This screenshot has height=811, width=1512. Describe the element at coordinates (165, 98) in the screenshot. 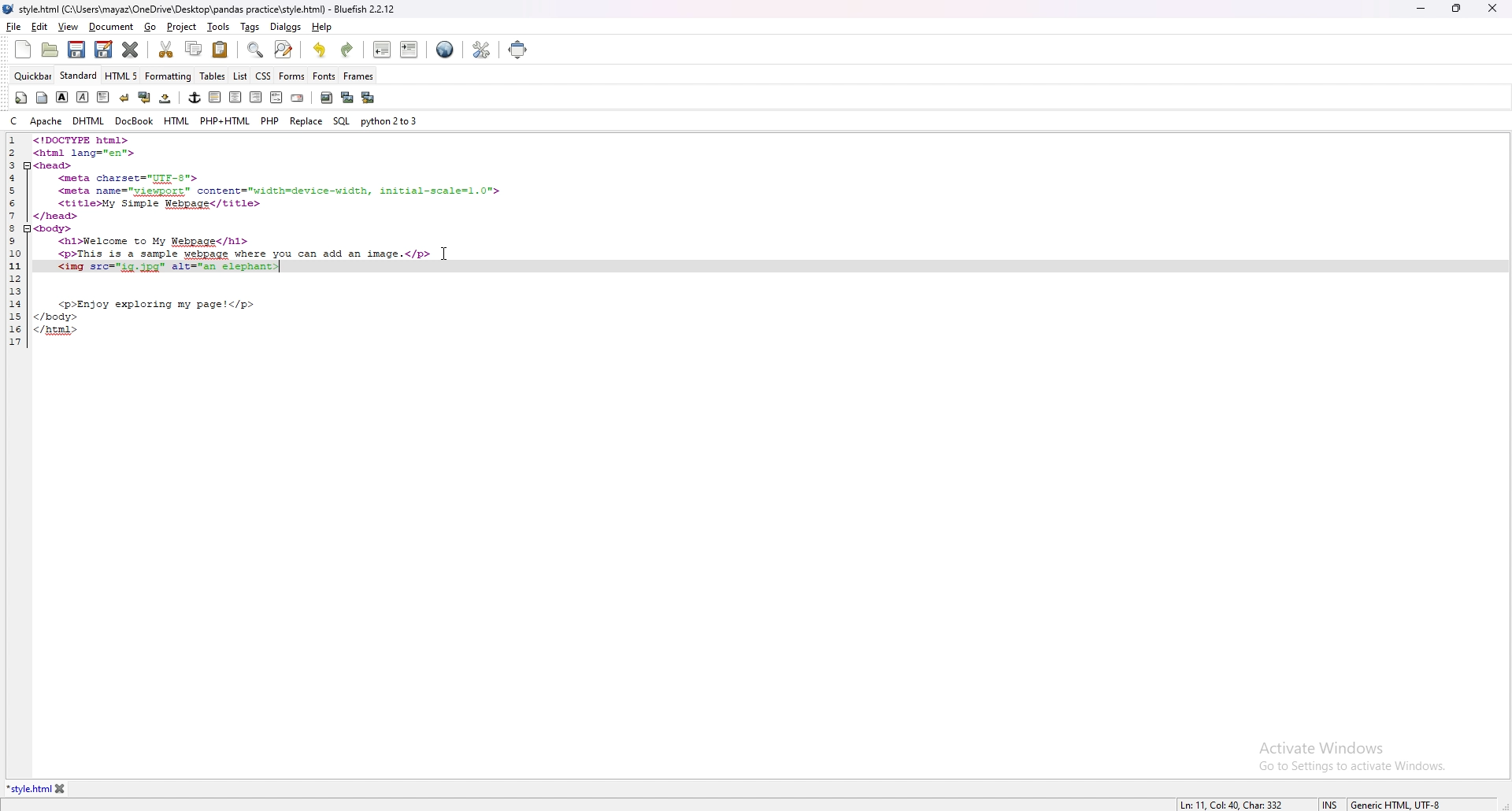

I see `non breaking space` at that location.